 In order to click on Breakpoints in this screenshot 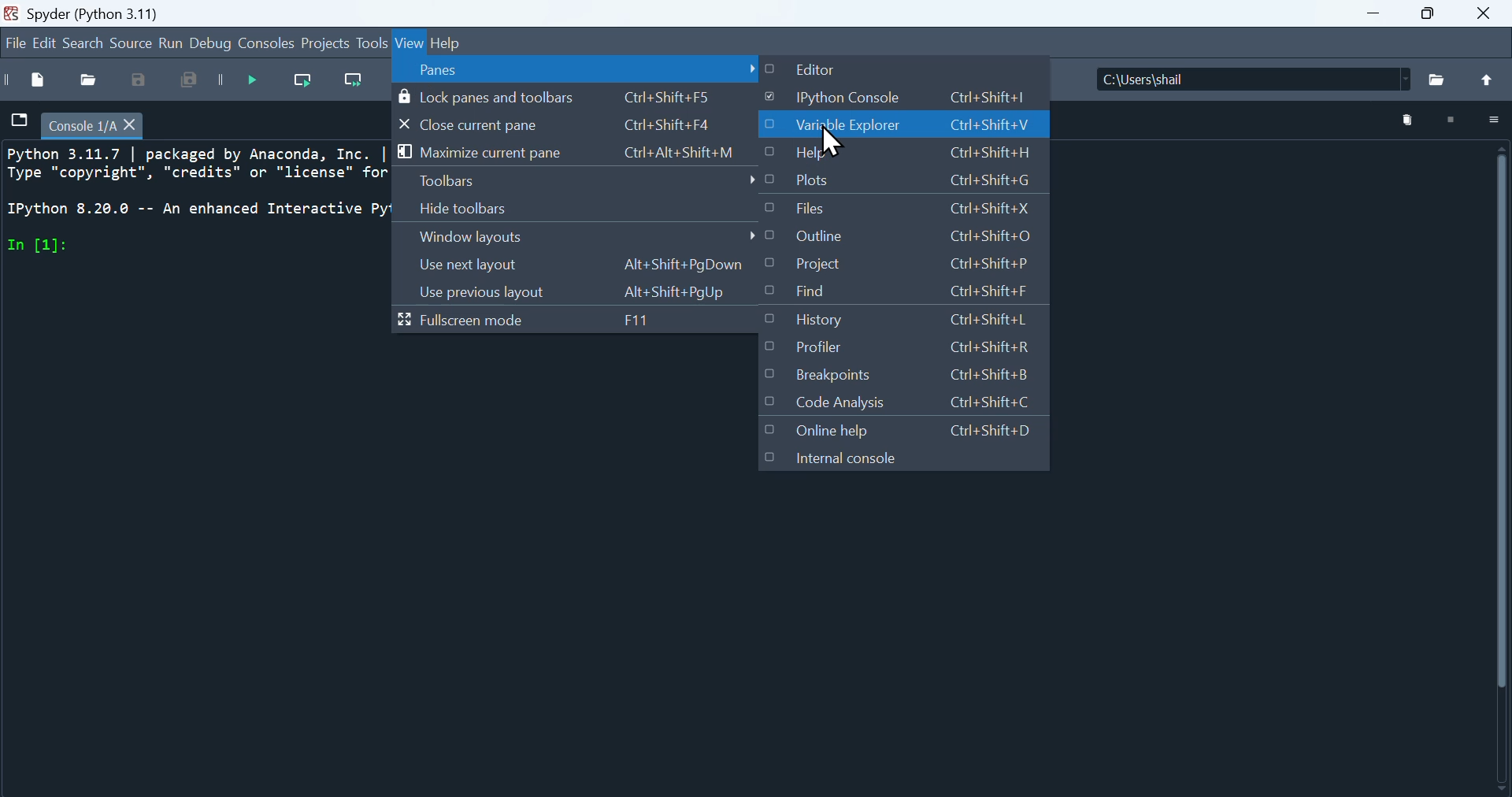, I will do `click(914, 377)`.